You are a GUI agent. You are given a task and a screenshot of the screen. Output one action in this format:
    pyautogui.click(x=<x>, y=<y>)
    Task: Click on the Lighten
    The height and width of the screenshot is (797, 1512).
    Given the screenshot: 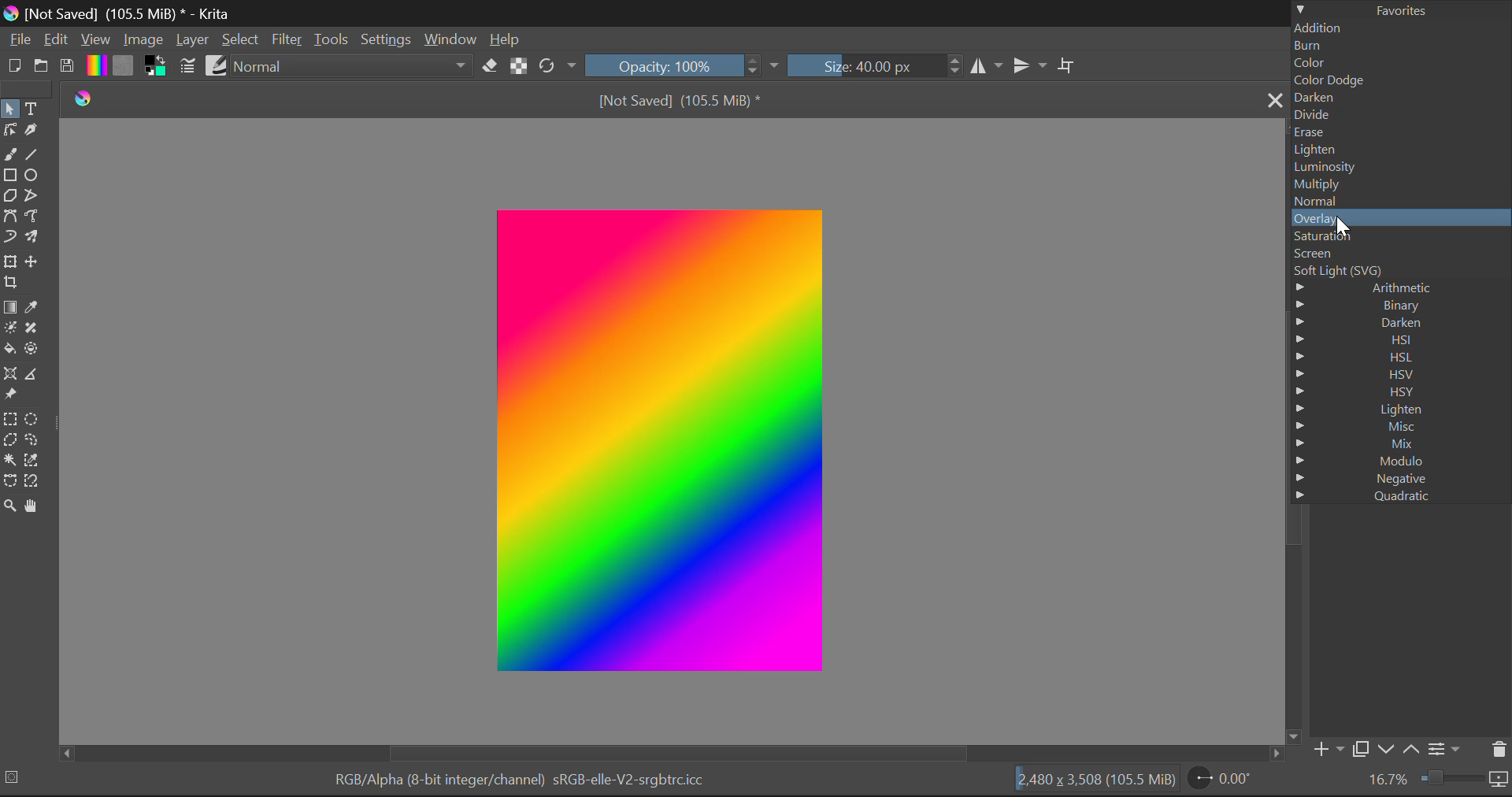 What is the action you would take?
    pyautogui.click(x=1399, y=150)
    